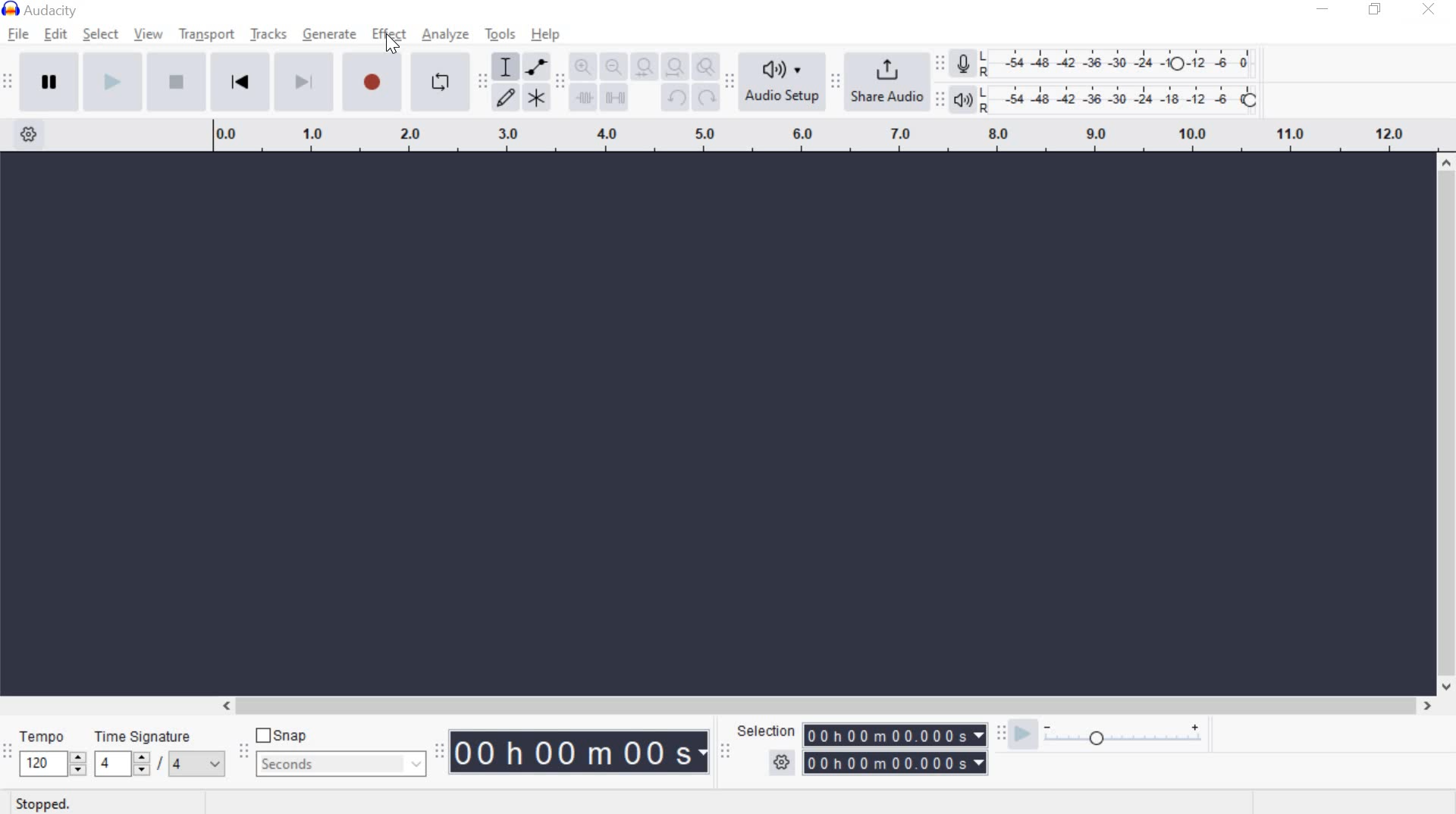 This screenshot has width=1456, height=814. What do you see at coordinates (581, 751) in the screenshot?
I see `Audacity Time` at bounding box center [581, 751].